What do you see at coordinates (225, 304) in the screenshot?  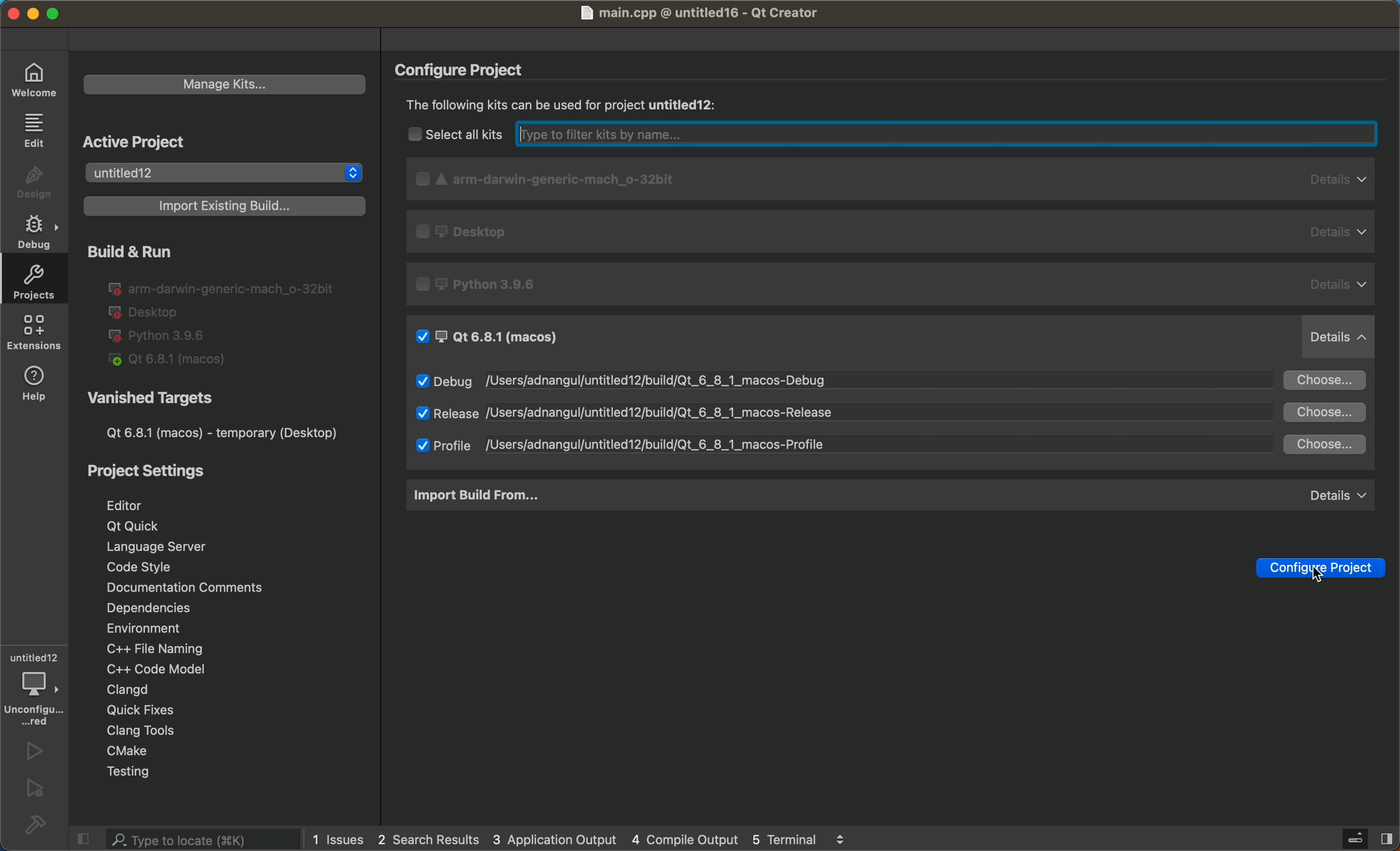 I see `run and build` at bounding box center [225, 304].